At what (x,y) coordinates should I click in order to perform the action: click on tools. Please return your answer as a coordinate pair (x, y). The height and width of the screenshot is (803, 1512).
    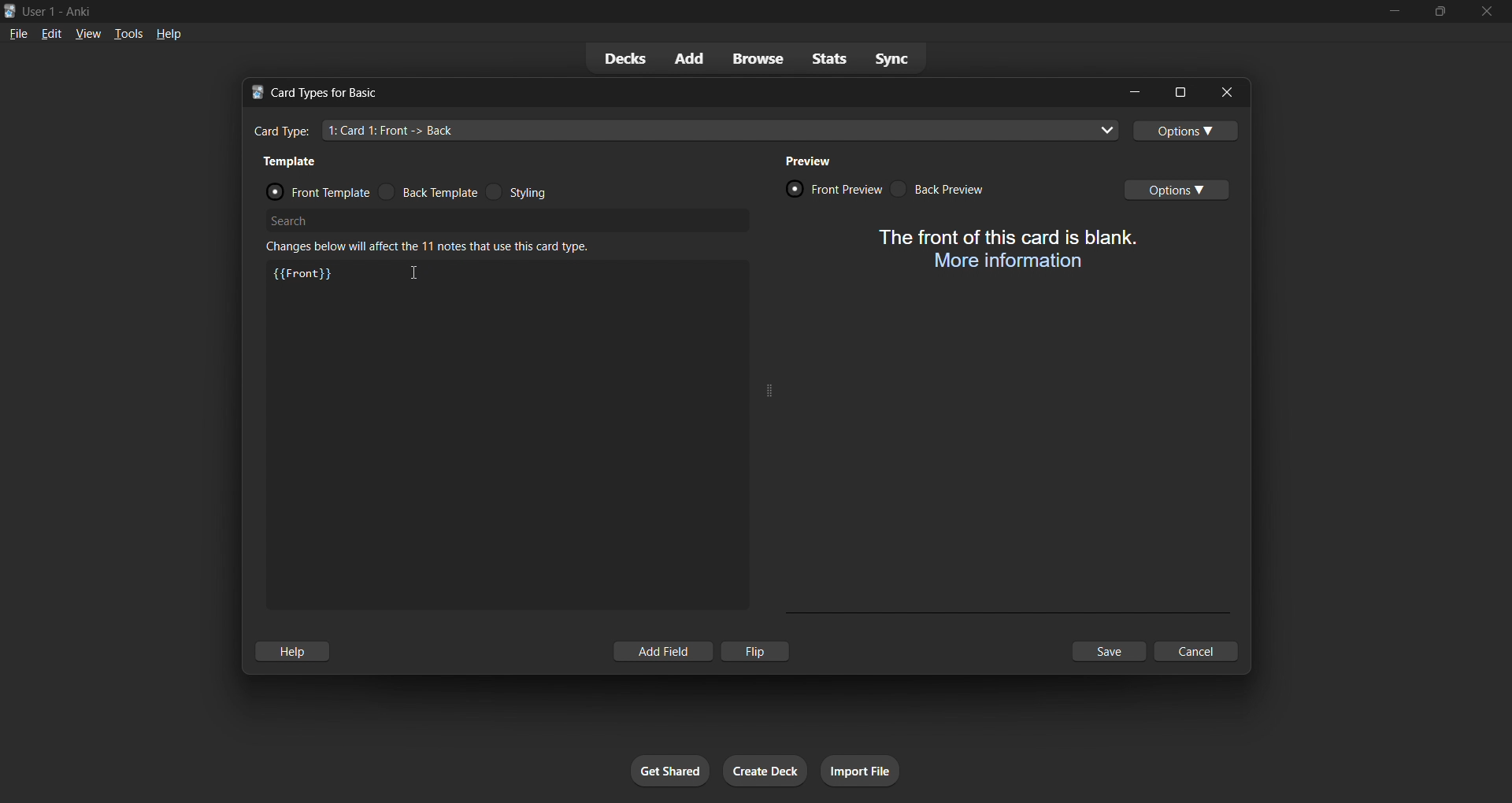
    Looking at the image, I should click on (126, 35).